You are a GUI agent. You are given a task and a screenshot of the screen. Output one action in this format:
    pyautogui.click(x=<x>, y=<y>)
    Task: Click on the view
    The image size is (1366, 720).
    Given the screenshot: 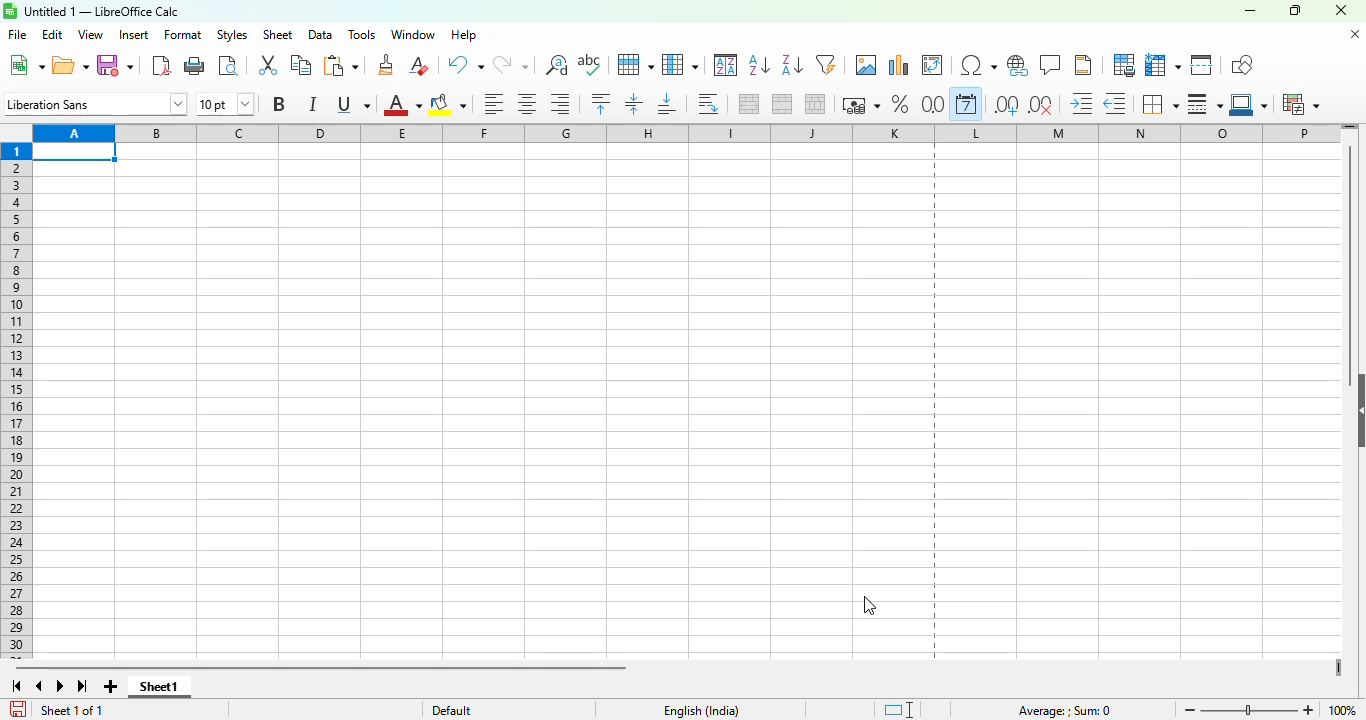 What is the action you would take?
    pyautogui.click(x=90, y=34)
    